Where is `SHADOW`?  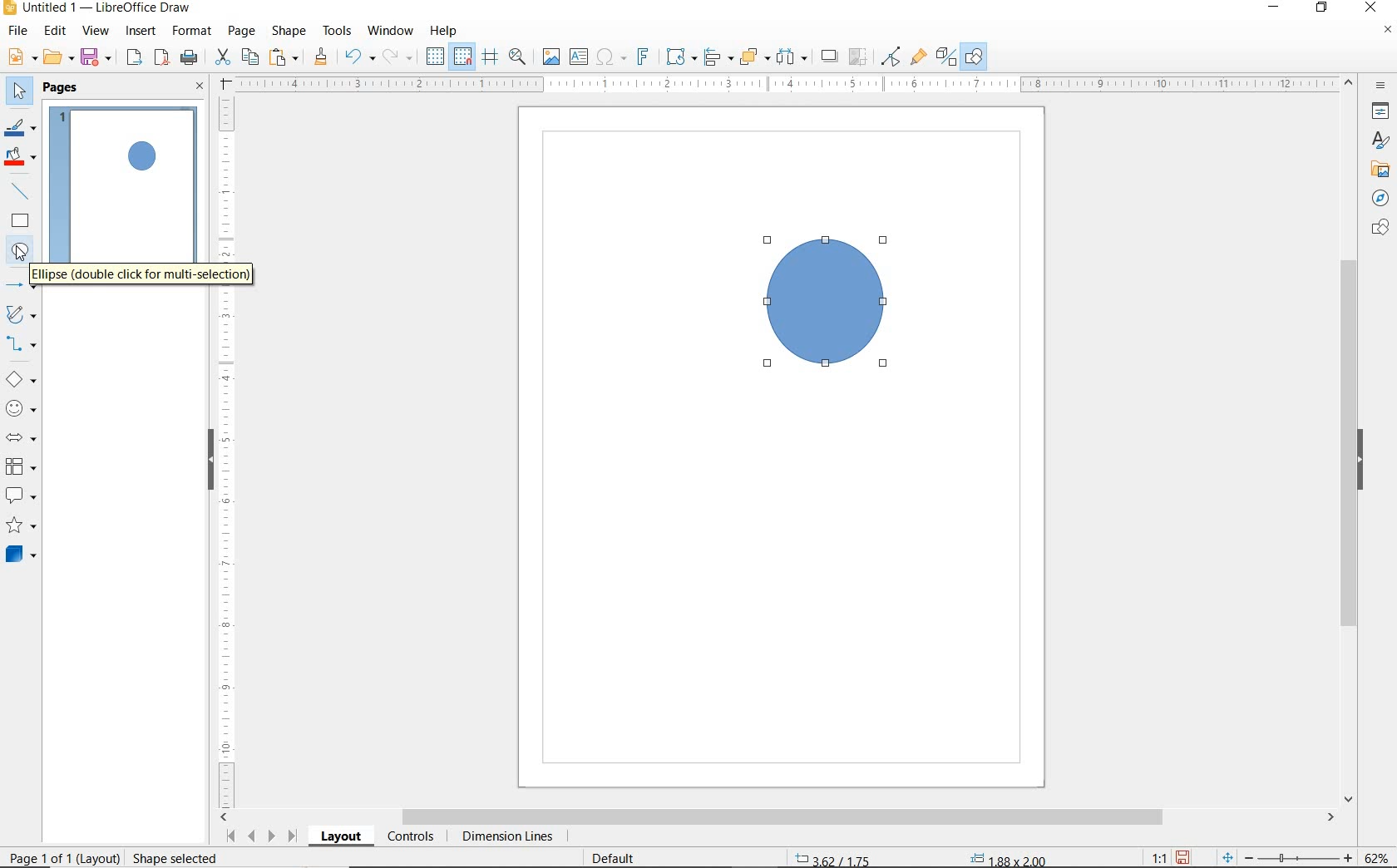
SHADOW is located at coordinates (830, 58).